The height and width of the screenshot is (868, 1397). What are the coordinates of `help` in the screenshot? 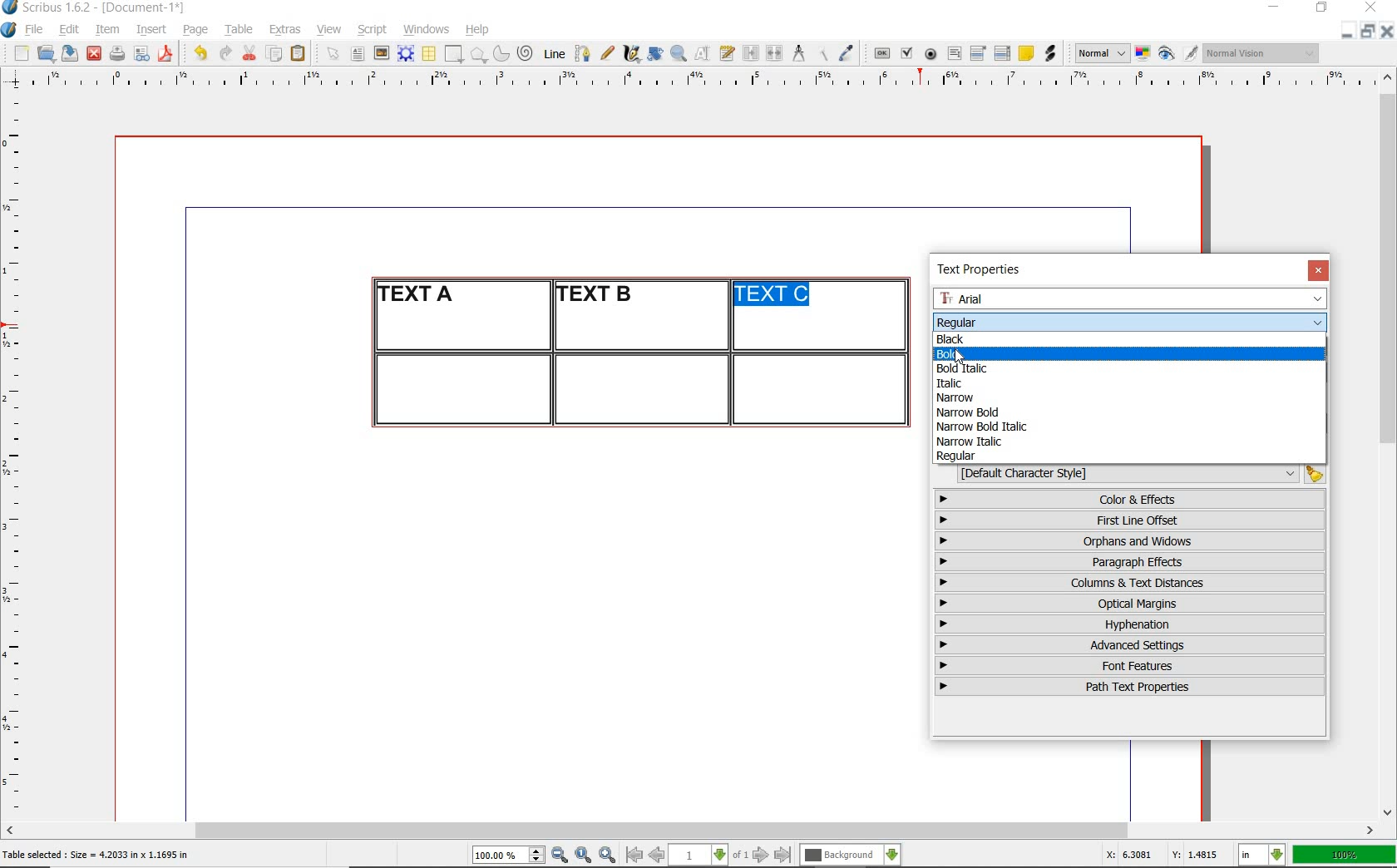 It's located at (476, 31).